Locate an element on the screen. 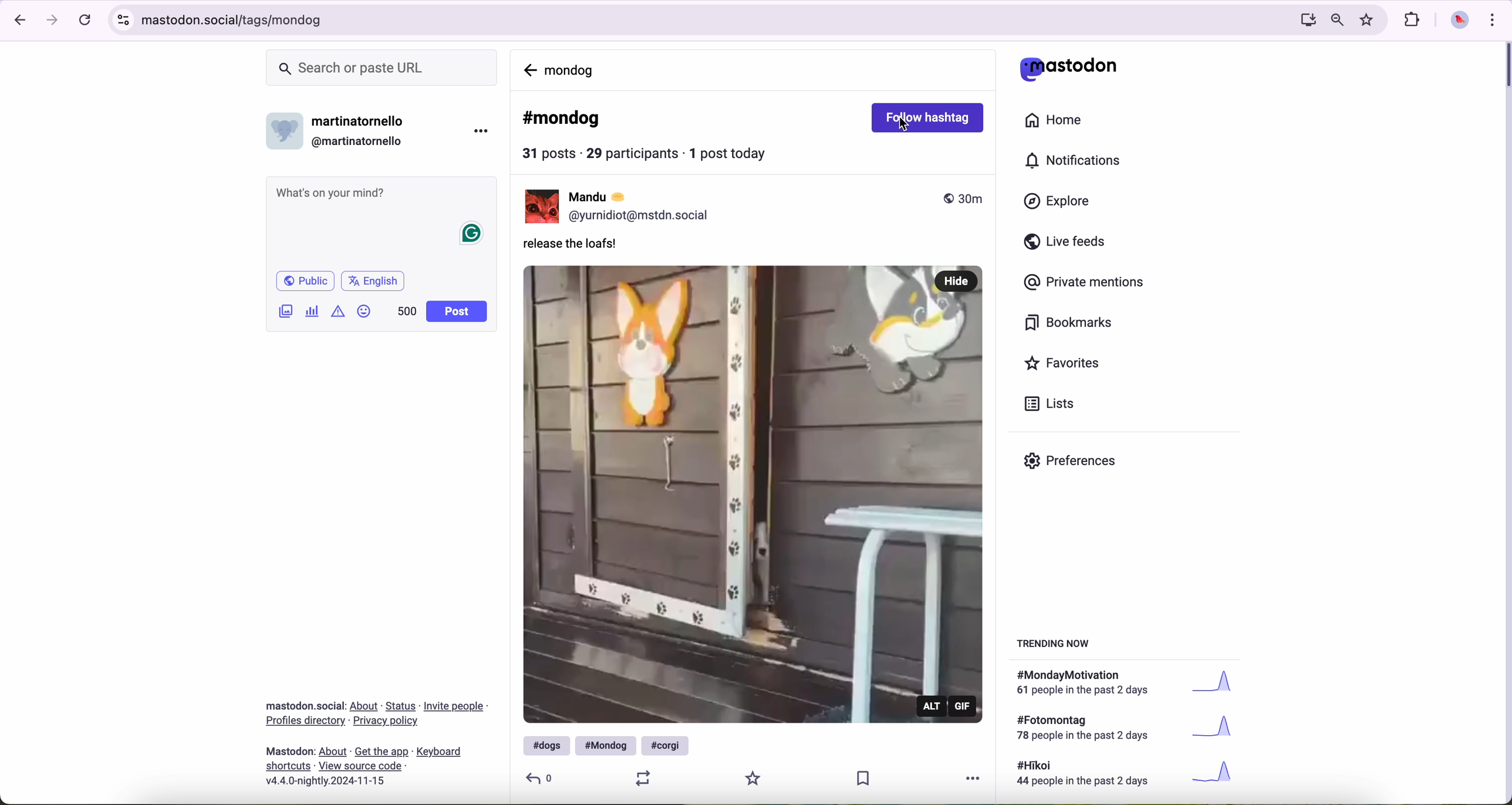  image is located at coordinates (285, 313).